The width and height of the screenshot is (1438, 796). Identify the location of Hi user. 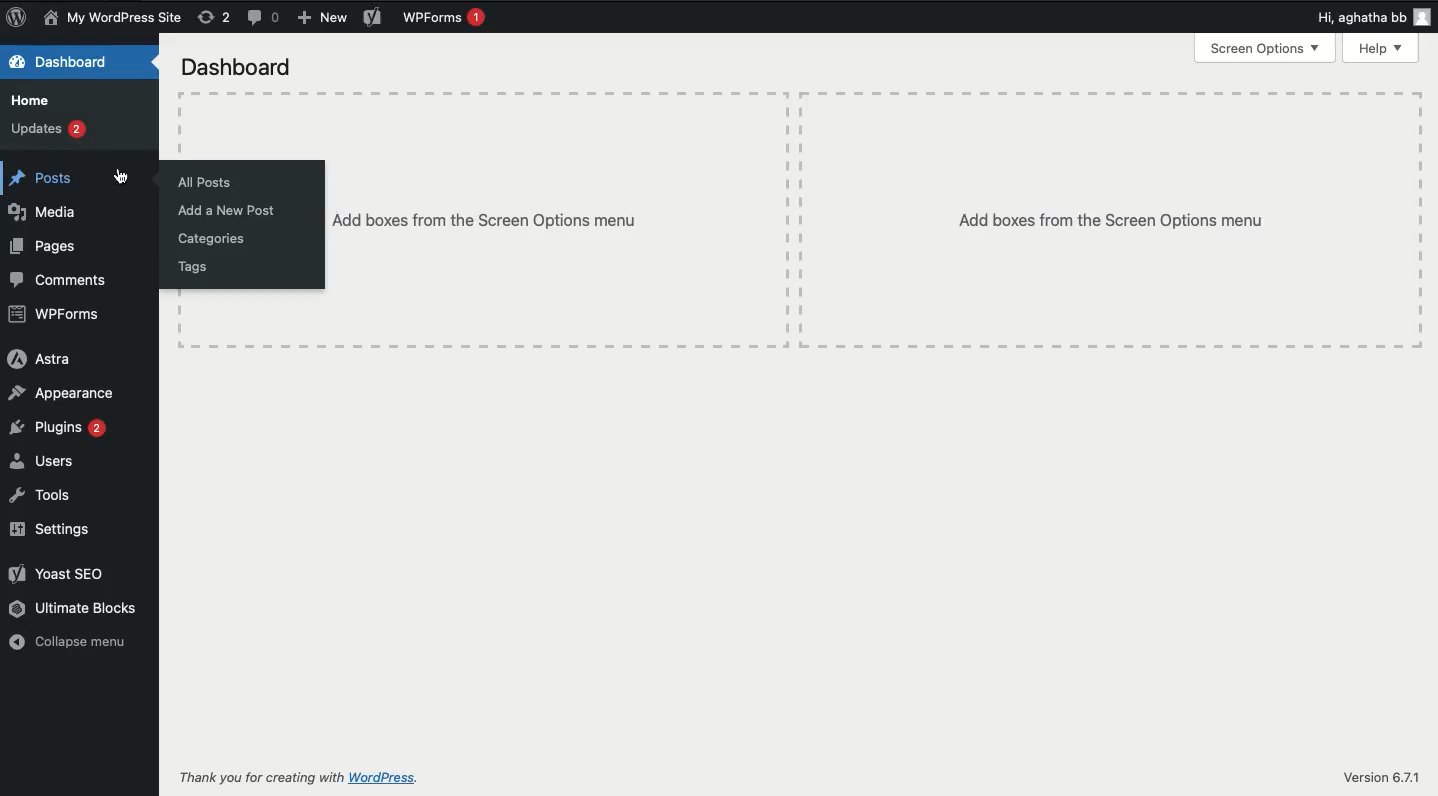
(1373, 17).